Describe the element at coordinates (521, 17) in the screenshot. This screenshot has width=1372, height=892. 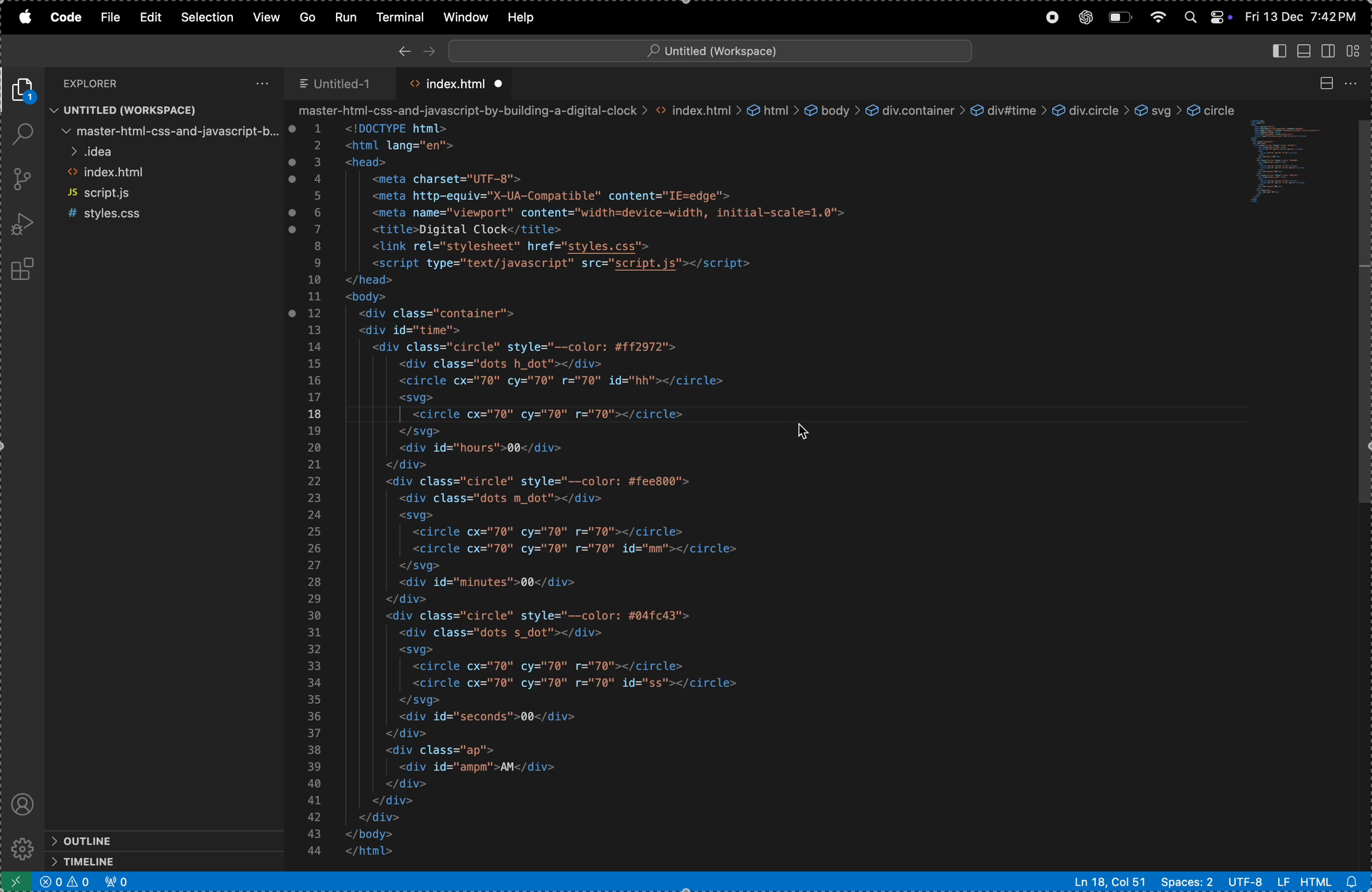
I see `Help` at that location.